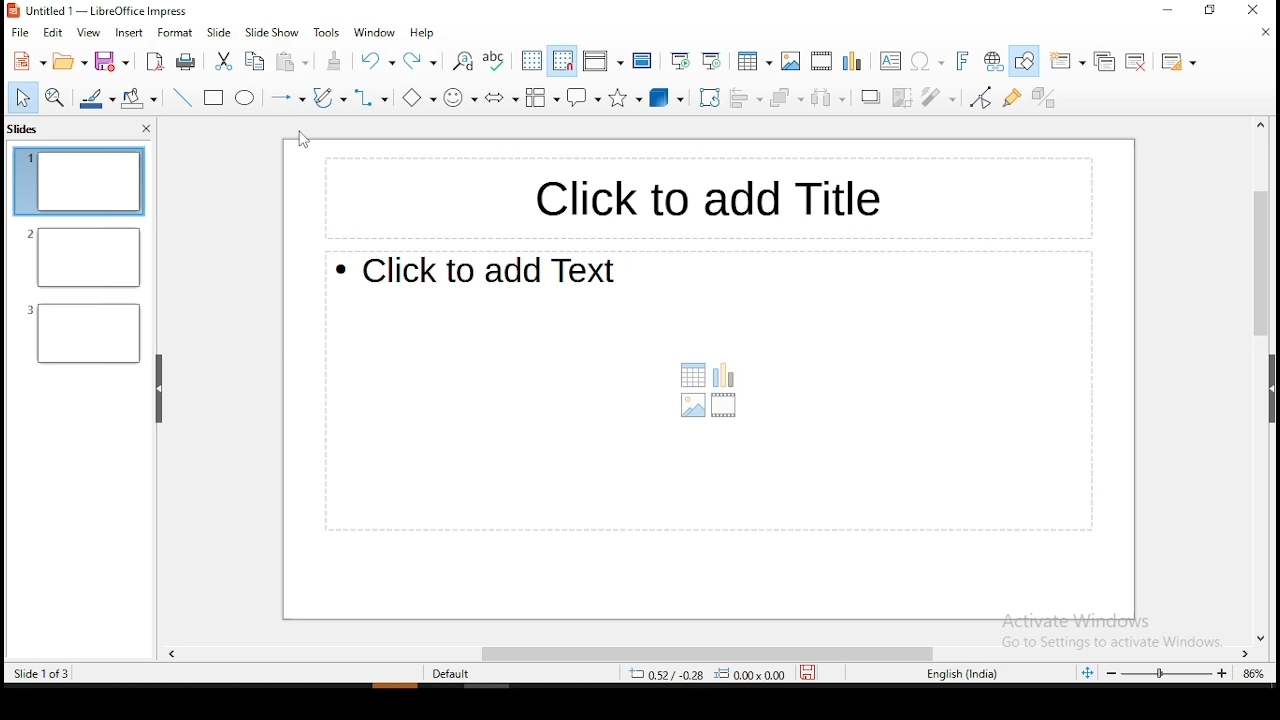 The height and width of the screenshot is (720, 1280). What do you see at coordinates (1179, 63) in the screenshot?
I see ` slide layout` at bounding box center [1179, 63].